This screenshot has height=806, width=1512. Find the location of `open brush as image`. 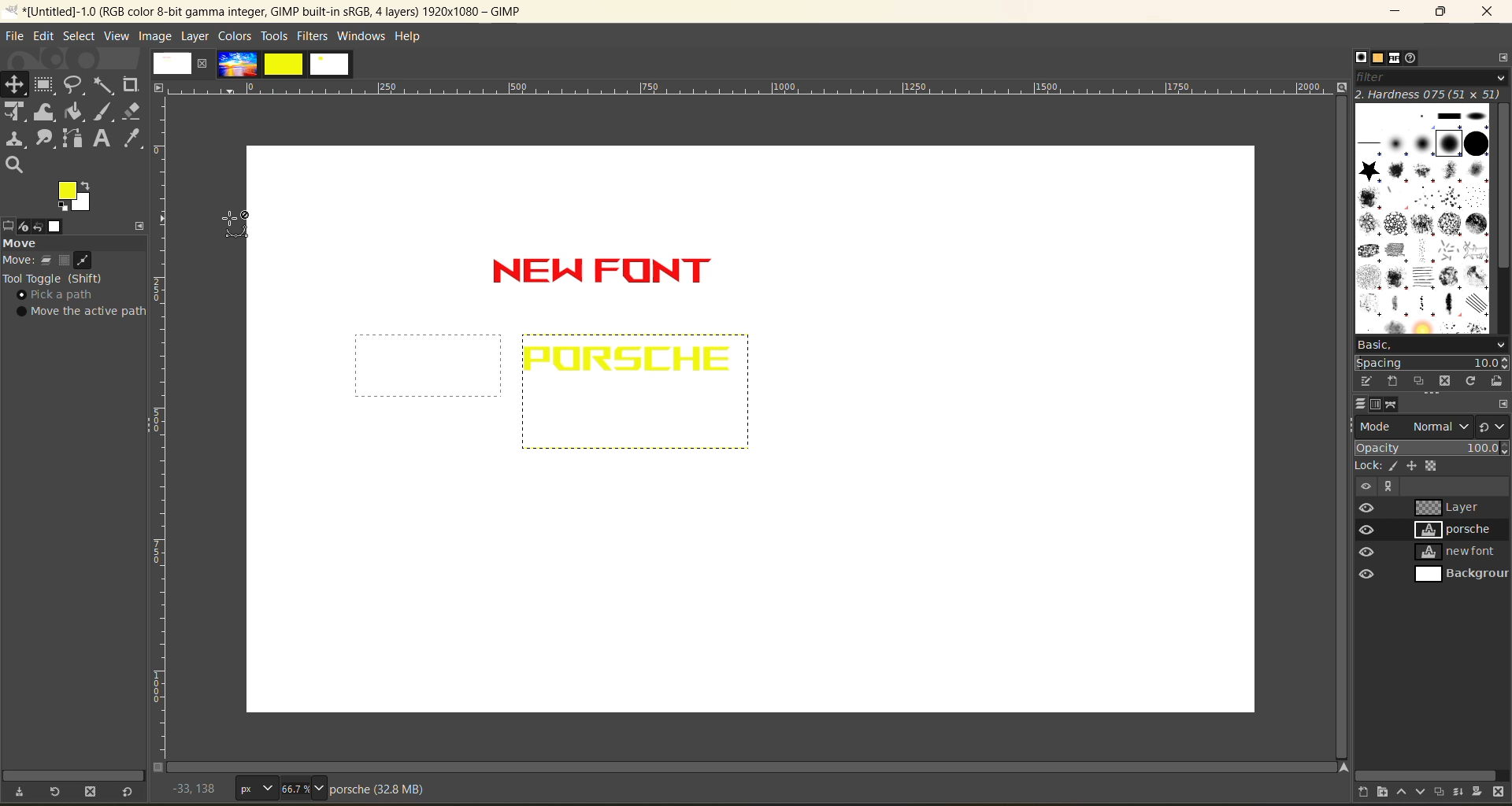

open brush as image is located at coordinates (1498, 383).